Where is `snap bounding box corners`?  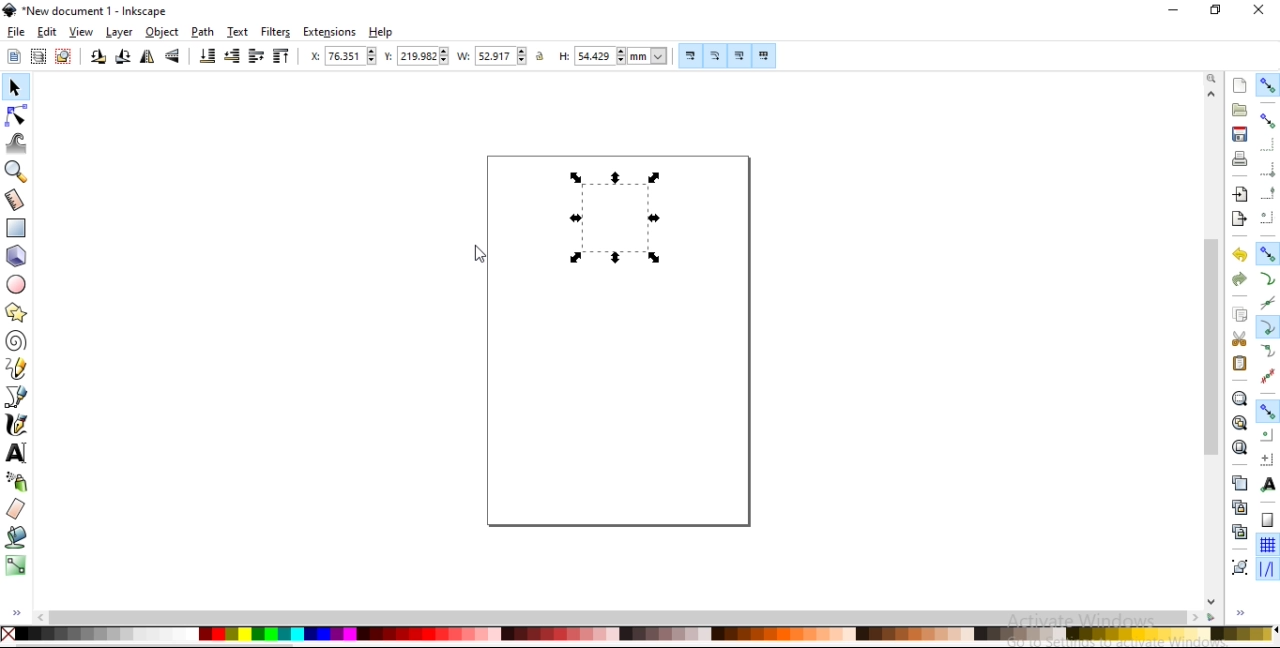
snap bounding box corners is located at coordinates (1267, 170).